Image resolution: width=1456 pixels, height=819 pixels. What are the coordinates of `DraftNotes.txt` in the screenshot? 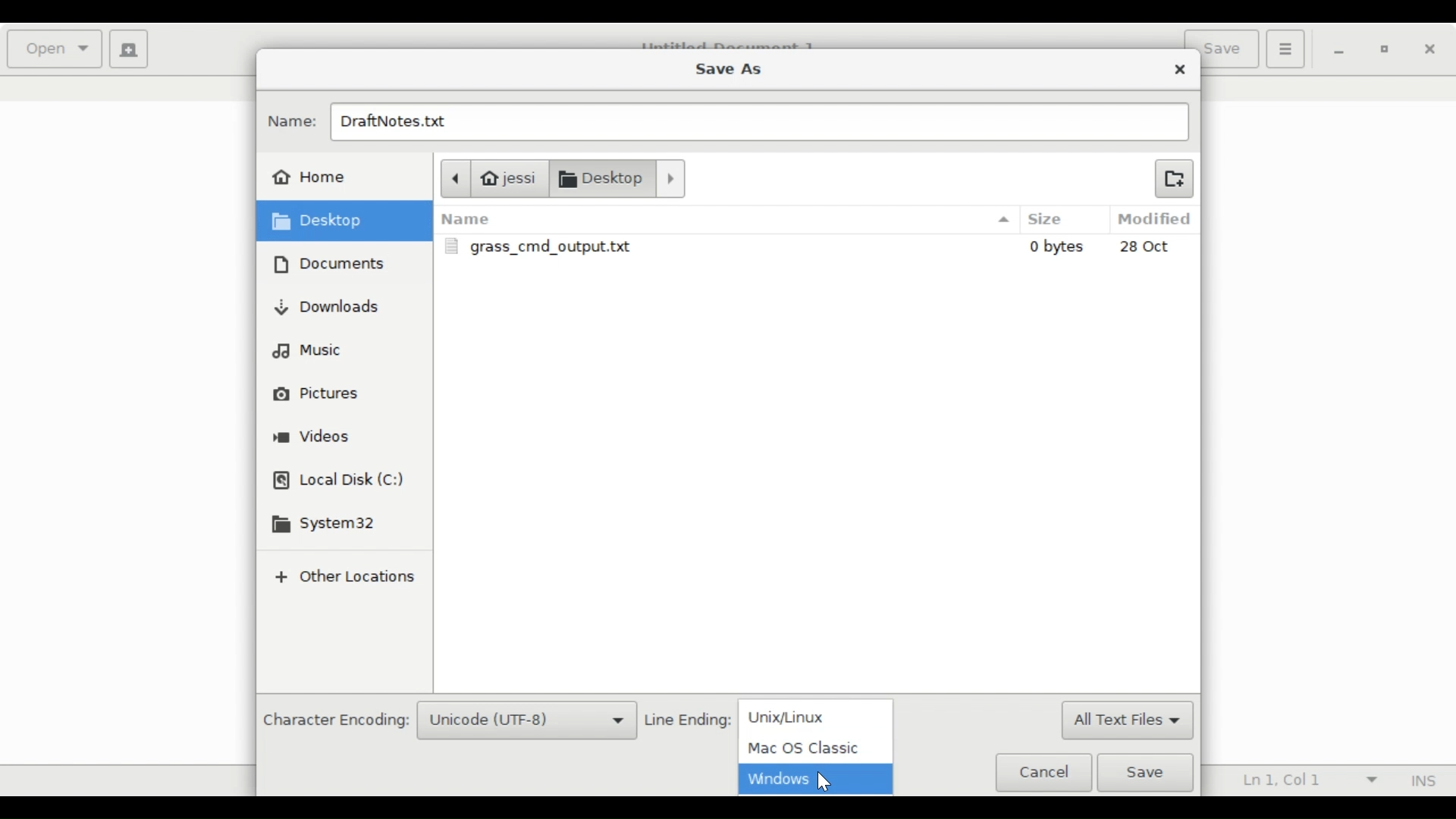 It's located at (757, 124).